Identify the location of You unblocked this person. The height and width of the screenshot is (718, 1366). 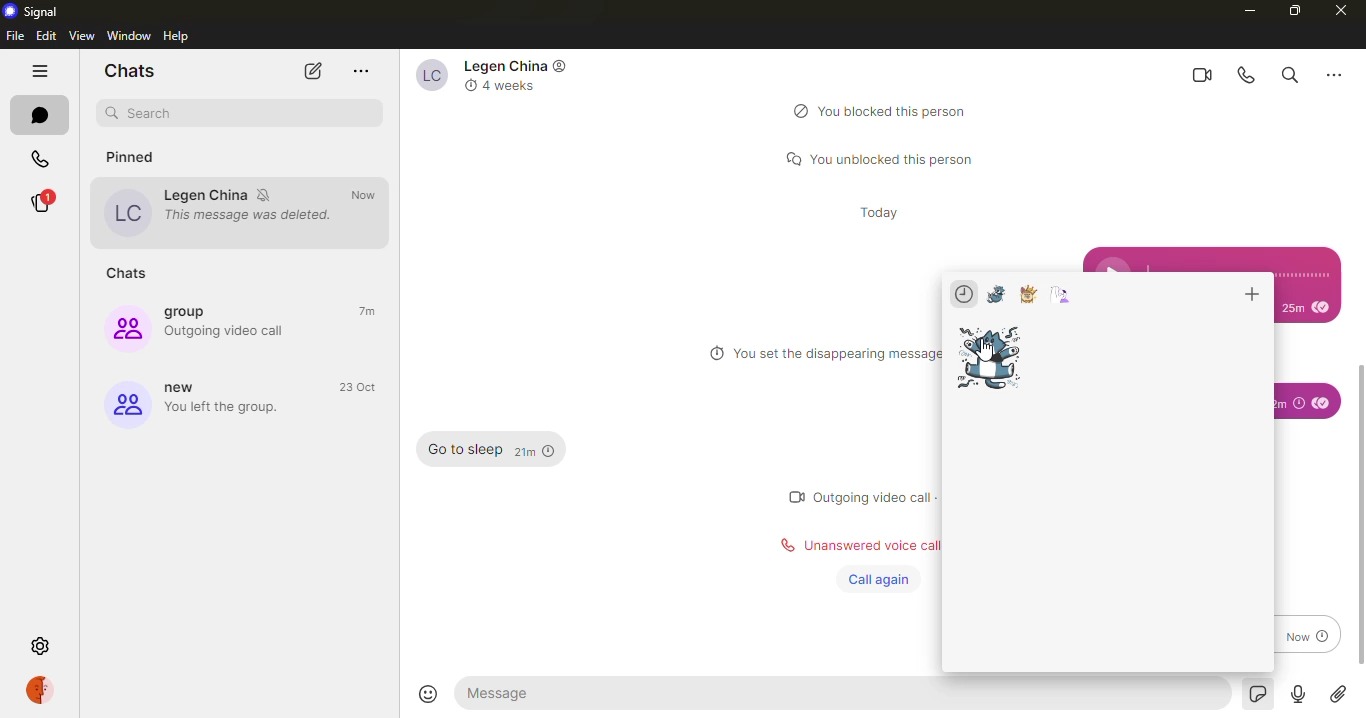
(894, 157).